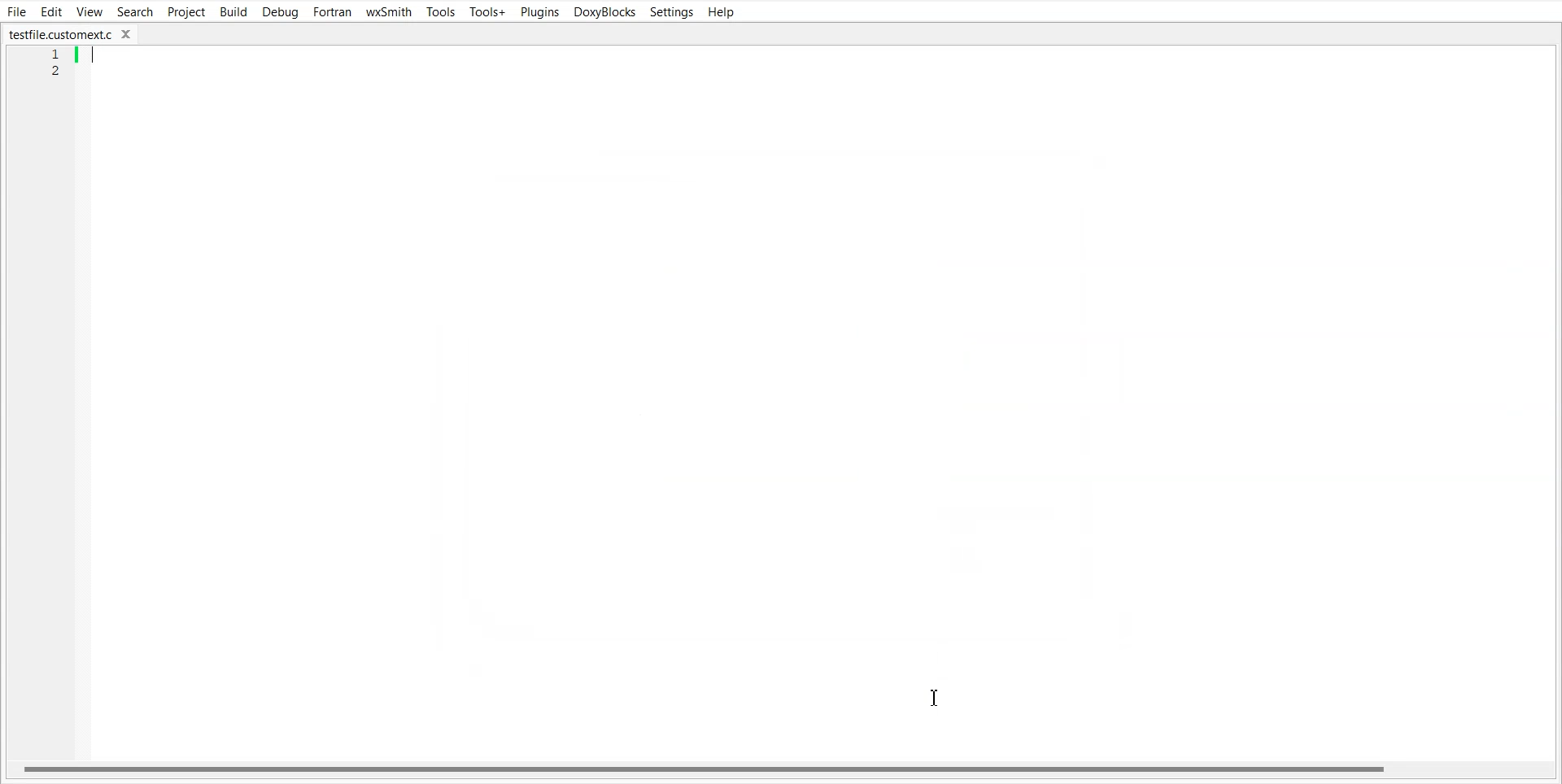  Describe the element at coordinates (69, 35) in the screenshot. I see `Folder` at that location.